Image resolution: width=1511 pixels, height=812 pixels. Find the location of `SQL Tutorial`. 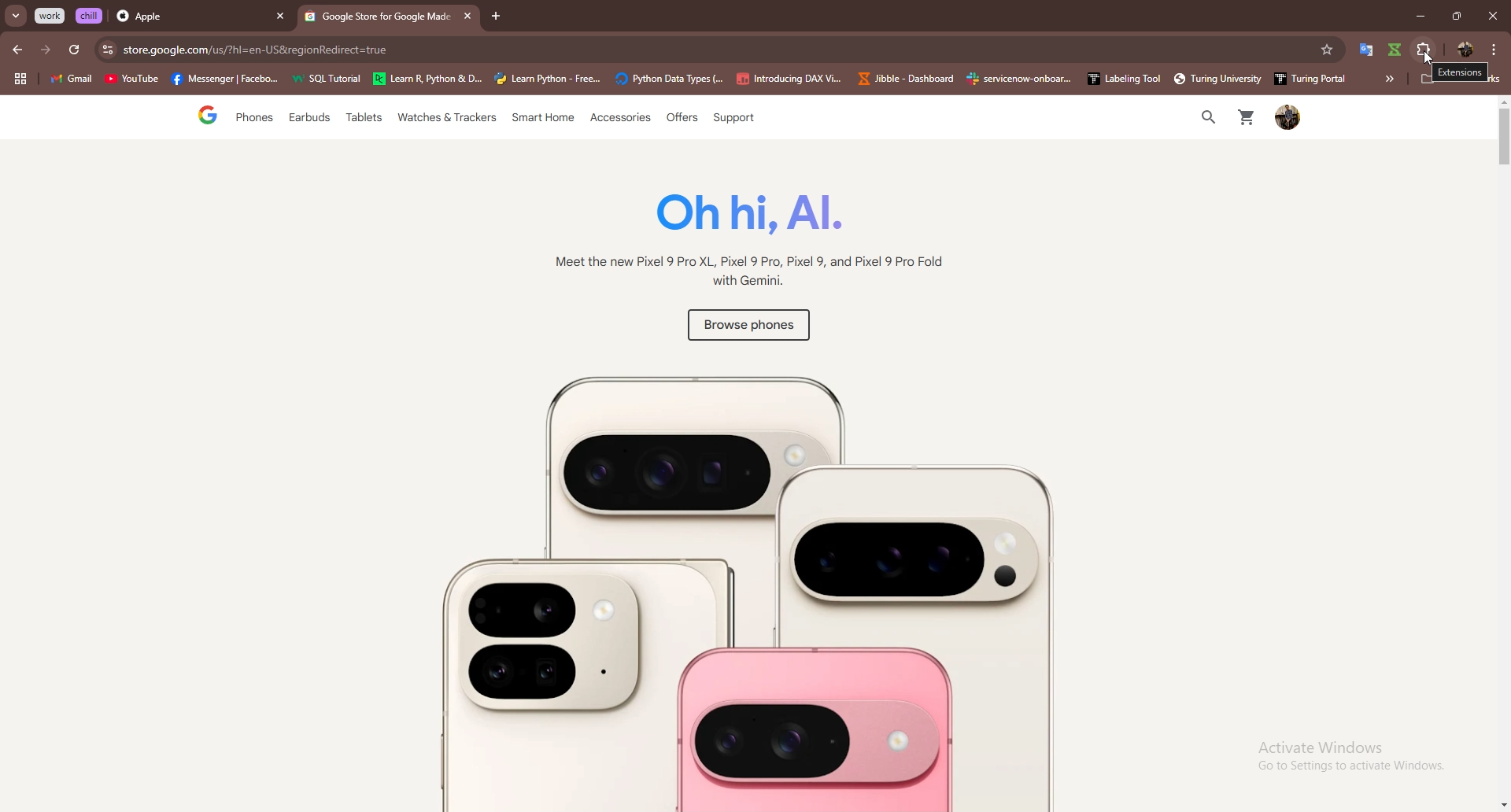

SQL Tutorial is located at coordinates (331, 80).